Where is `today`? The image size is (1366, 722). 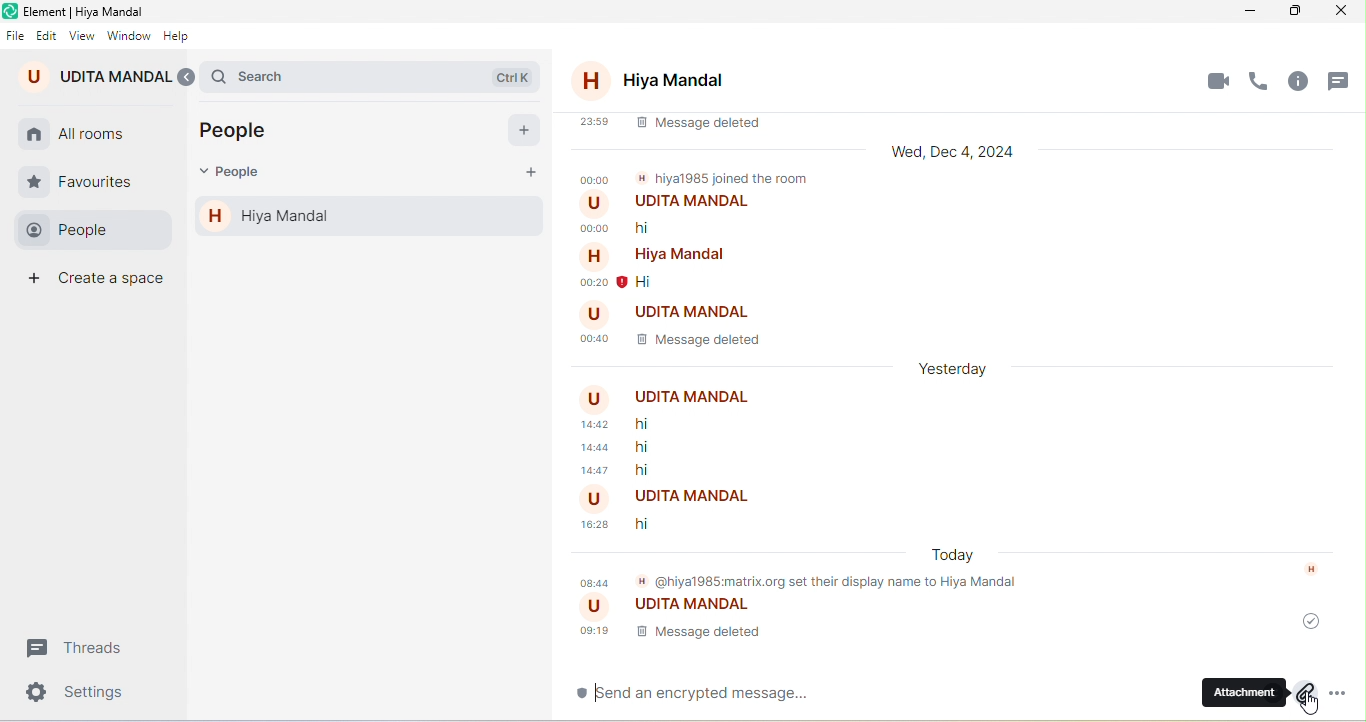
today is located at coordinates (959, 556).